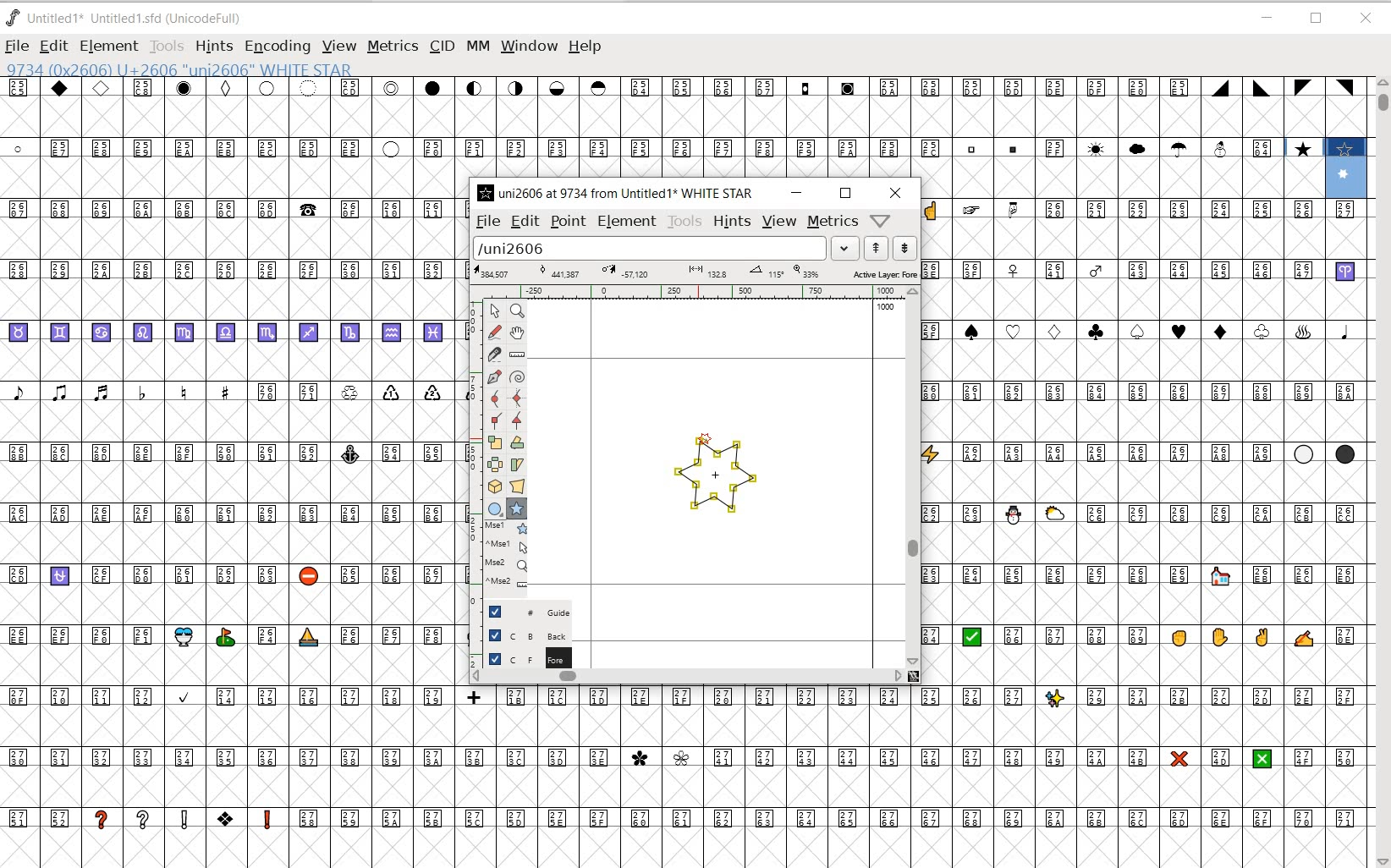  I want to click on RECTANGLE OR ELLIPSE, so click(497, 509).